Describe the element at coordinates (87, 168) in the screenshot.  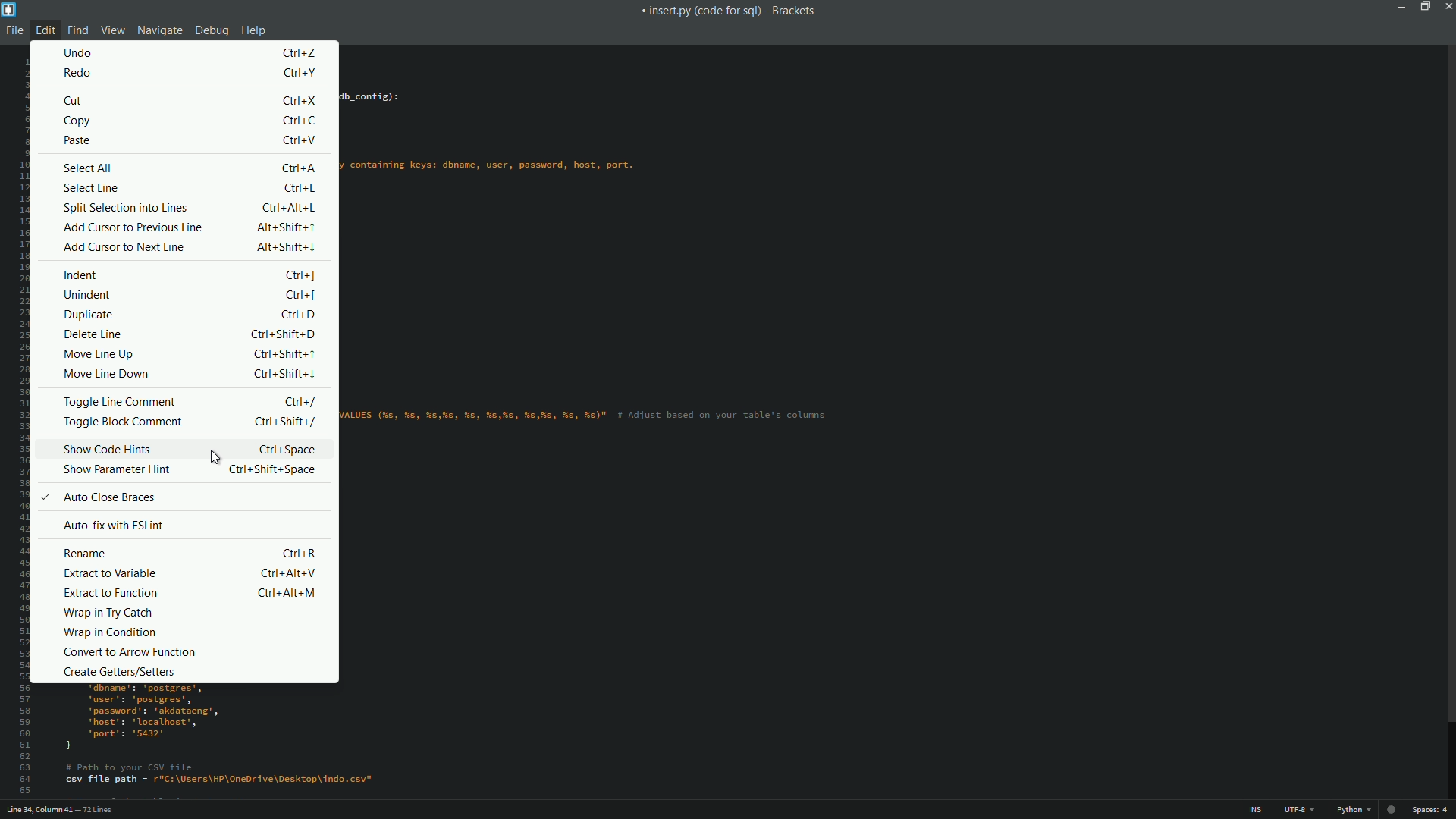
I see `select all` at that location.